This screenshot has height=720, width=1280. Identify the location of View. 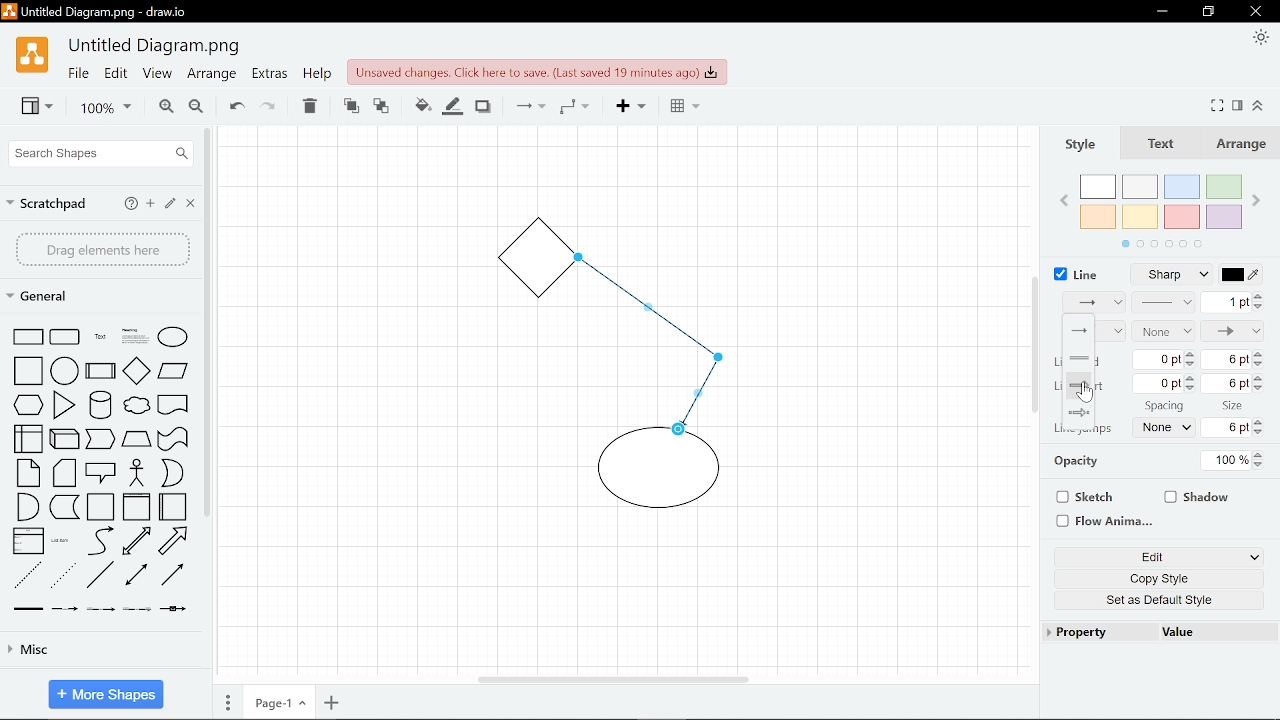
(156, 76).